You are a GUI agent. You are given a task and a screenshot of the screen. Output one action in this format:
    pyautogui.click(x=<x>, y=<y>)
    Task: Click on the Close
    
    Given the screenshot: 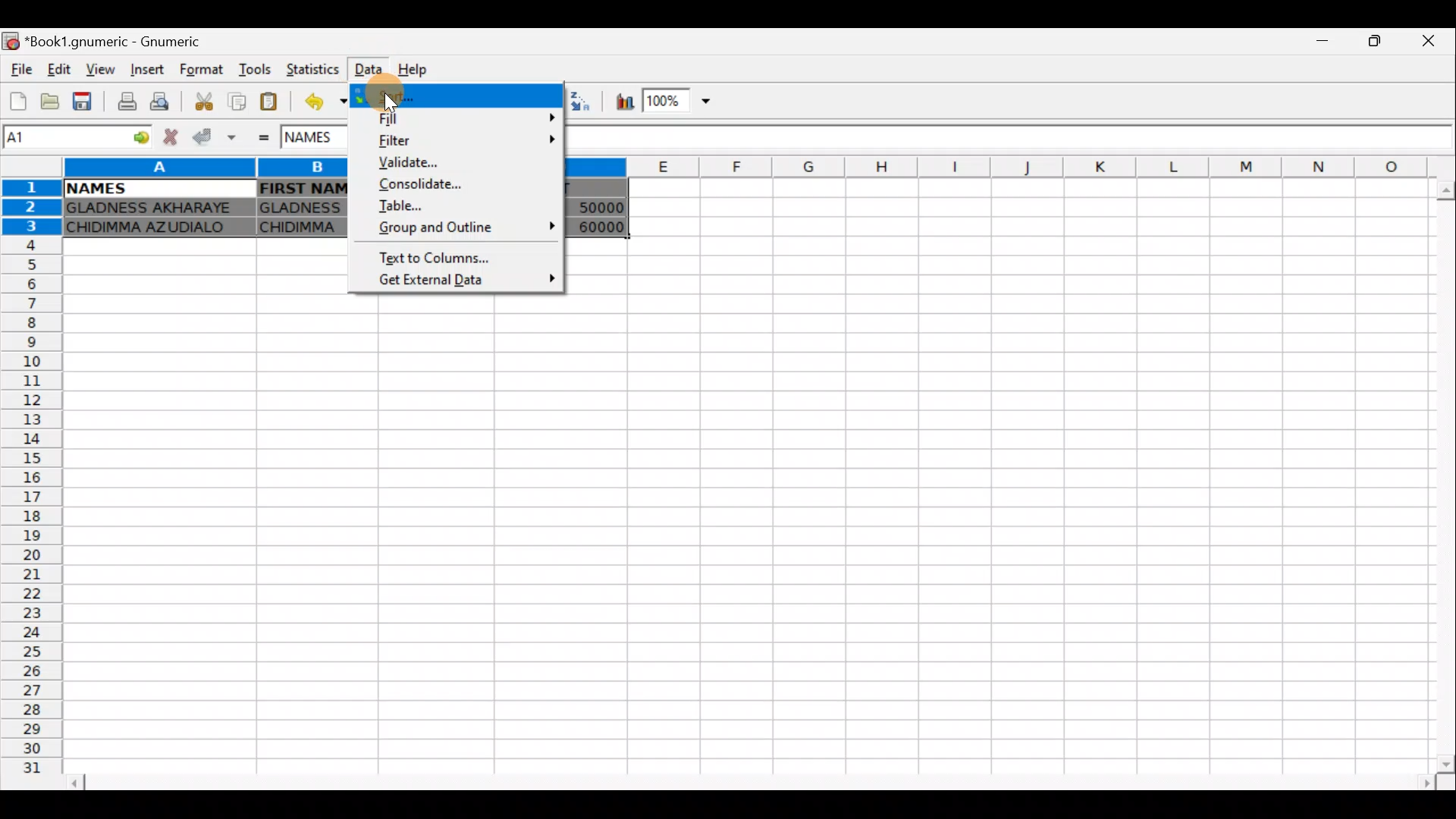 What is the action you would take?
    pyautogui.click(x=1434, y=41)
    